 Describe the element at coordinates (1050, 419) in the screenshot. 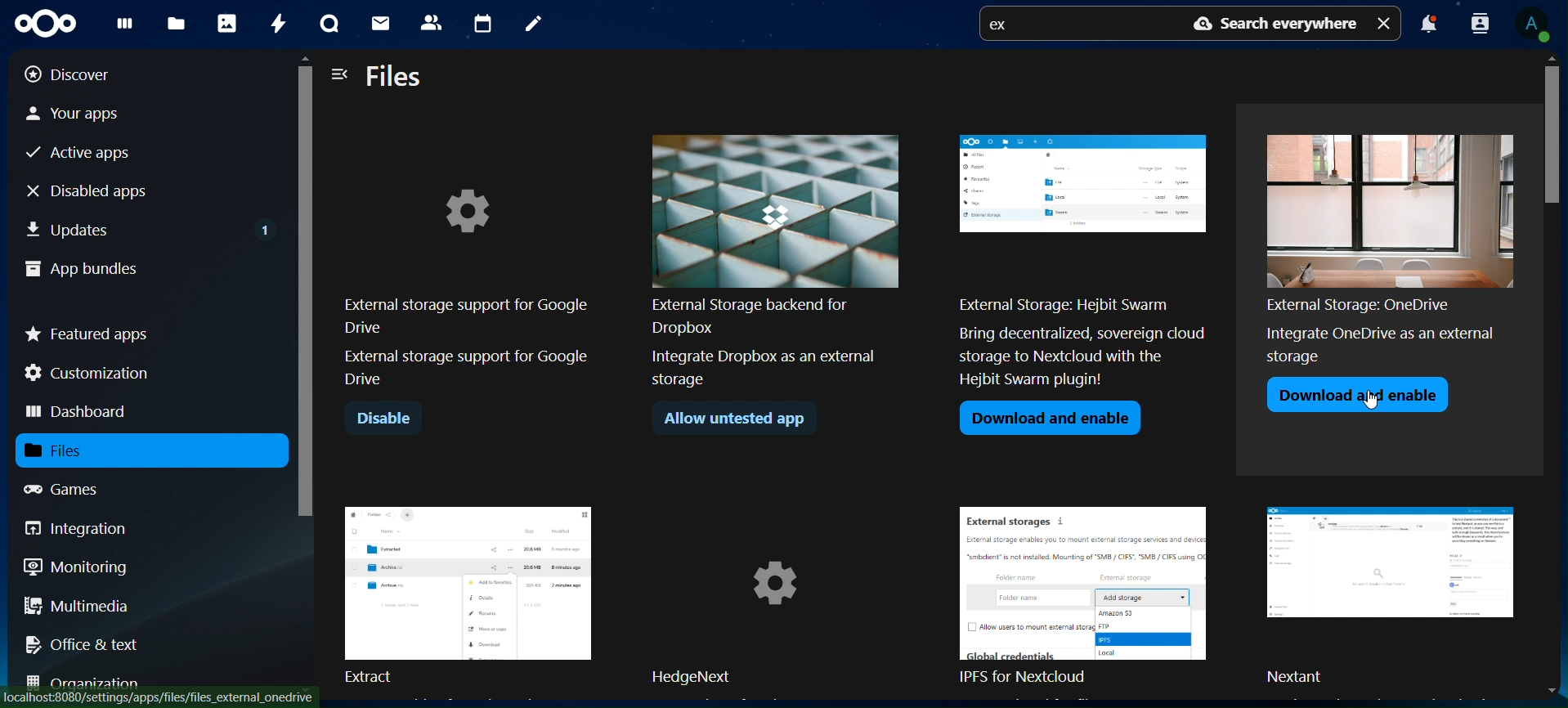

I see `download and enable` at that location.